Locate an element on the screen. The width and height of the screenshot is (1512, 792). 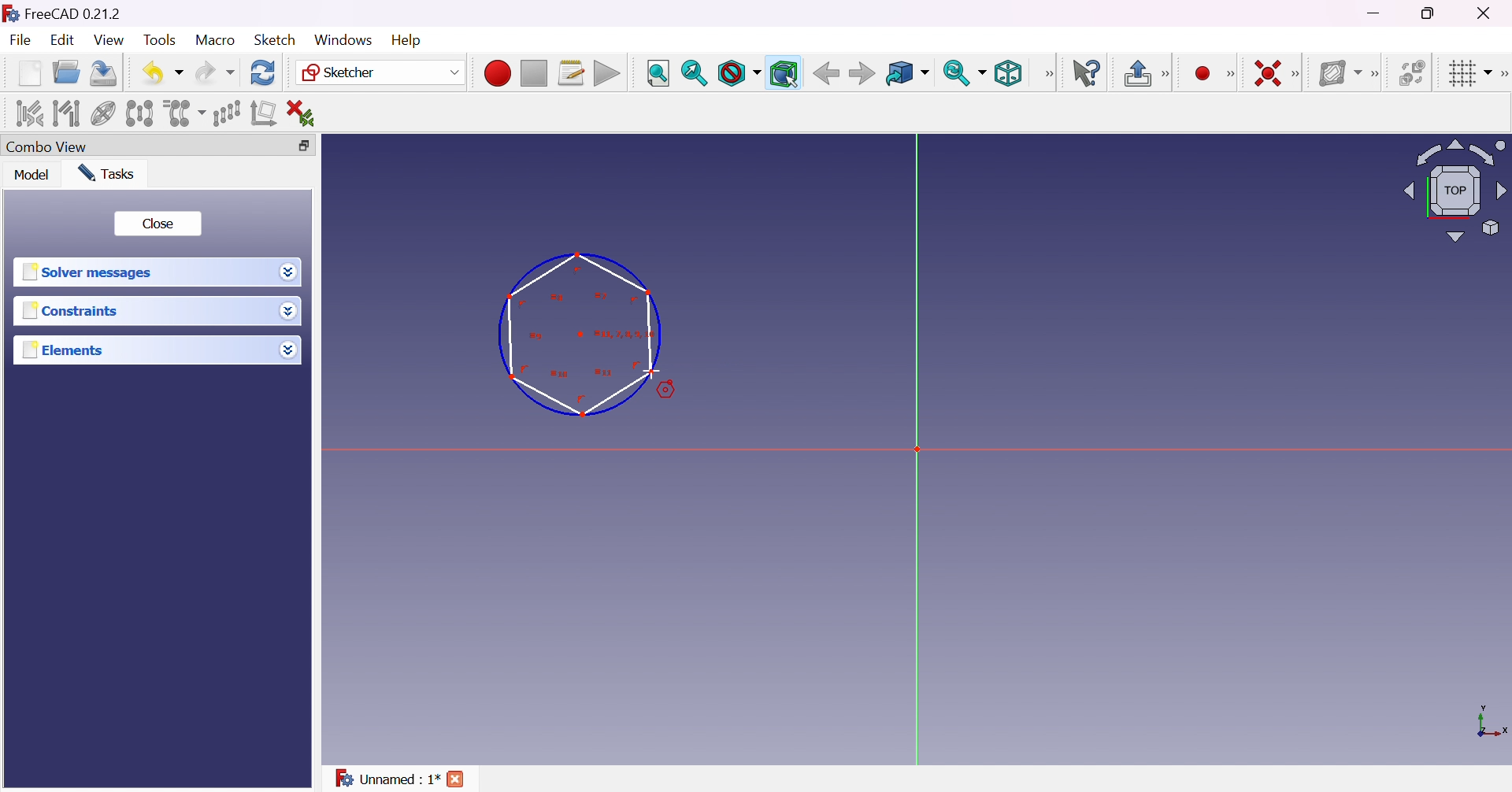
Rectangular array is located at coordinates (227, 113).